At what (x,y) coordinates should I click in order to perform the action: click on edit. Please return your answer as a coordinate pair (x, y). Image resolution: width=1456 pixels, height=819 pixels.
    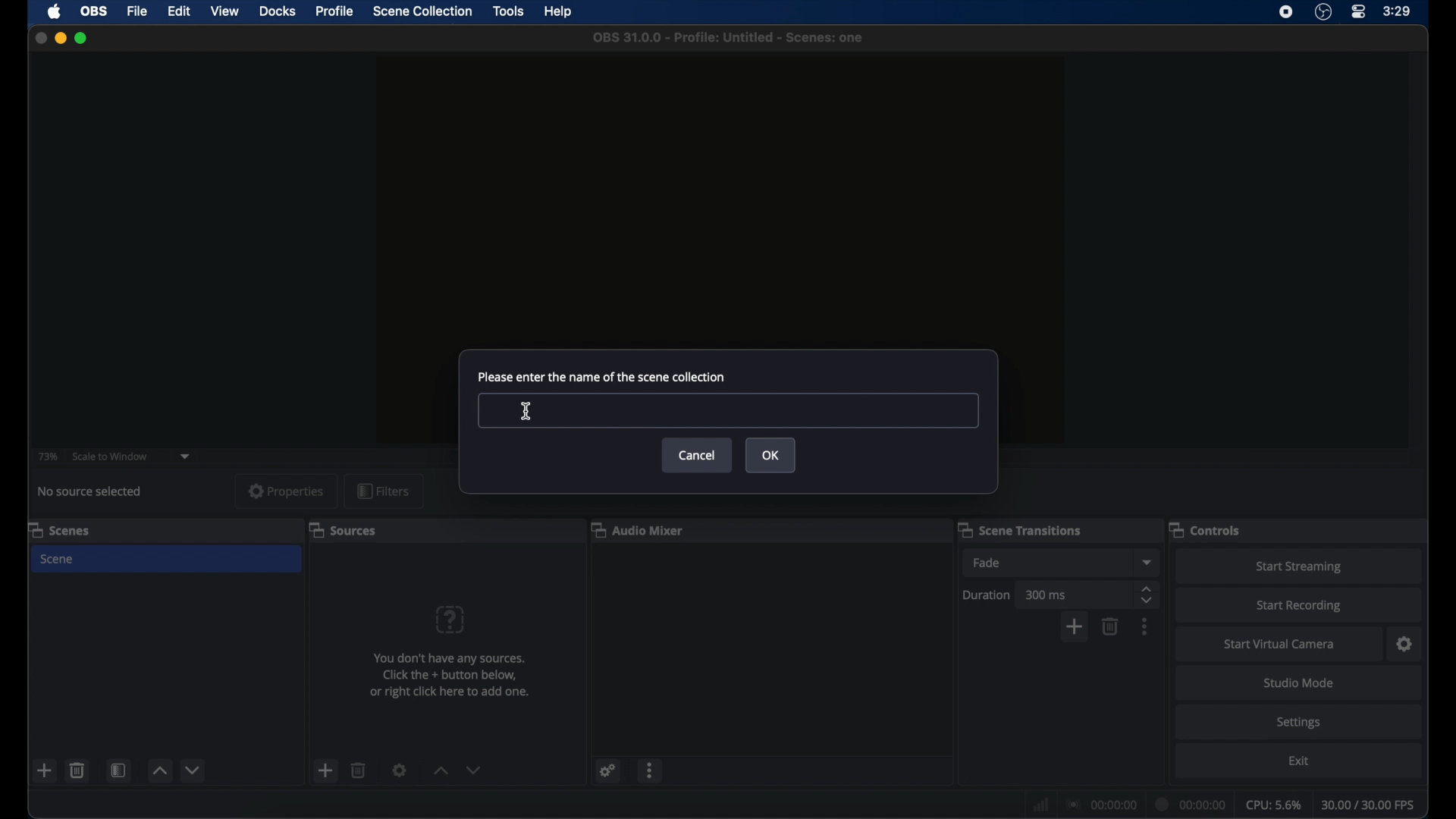
    Looking at the image, I should click on (177, 11).